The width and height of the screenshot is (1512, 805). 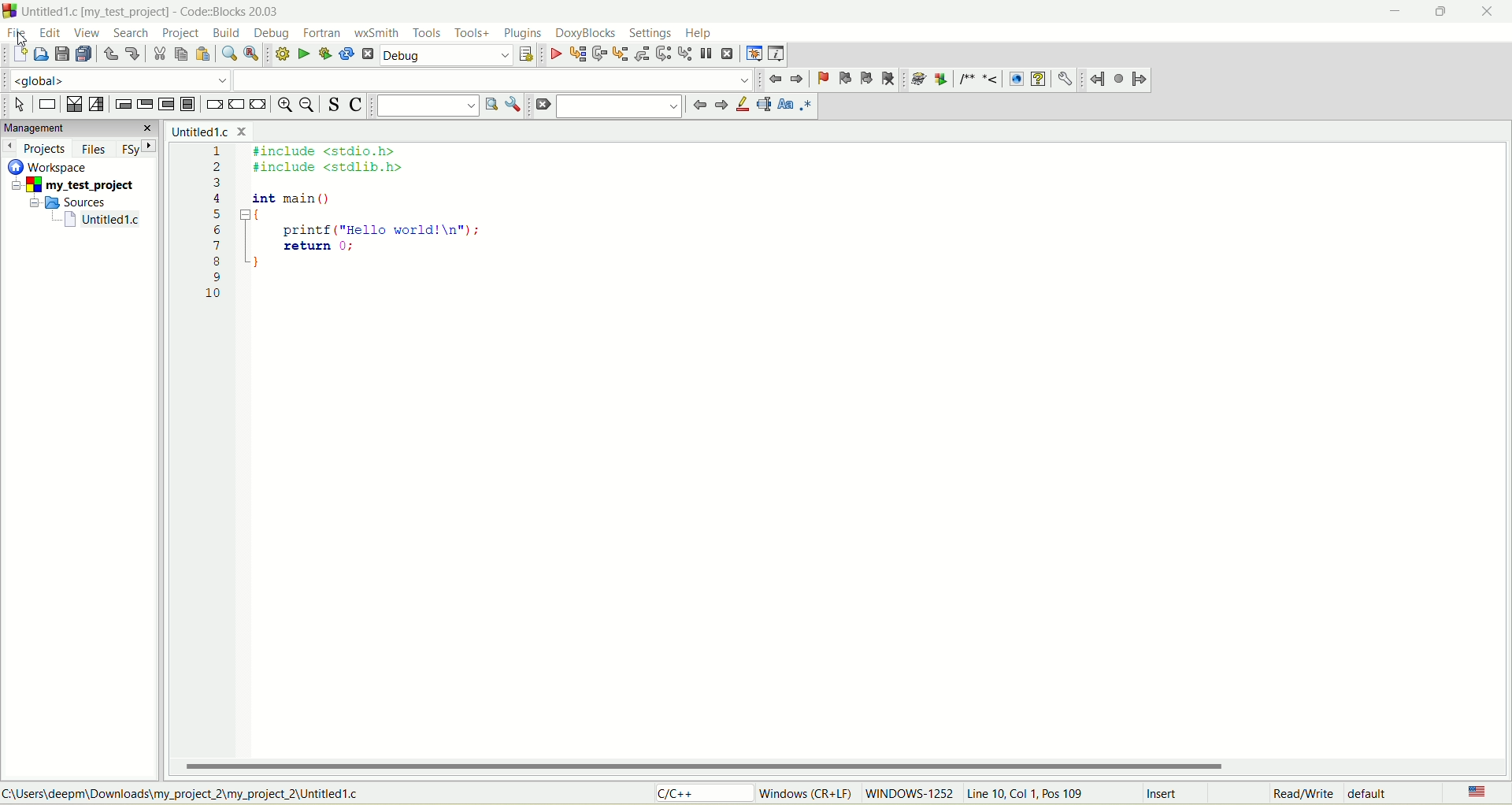 What do you see at coordinates (73, 105) in the screenshot?
I see `decision` at bounding box center [73, 105].